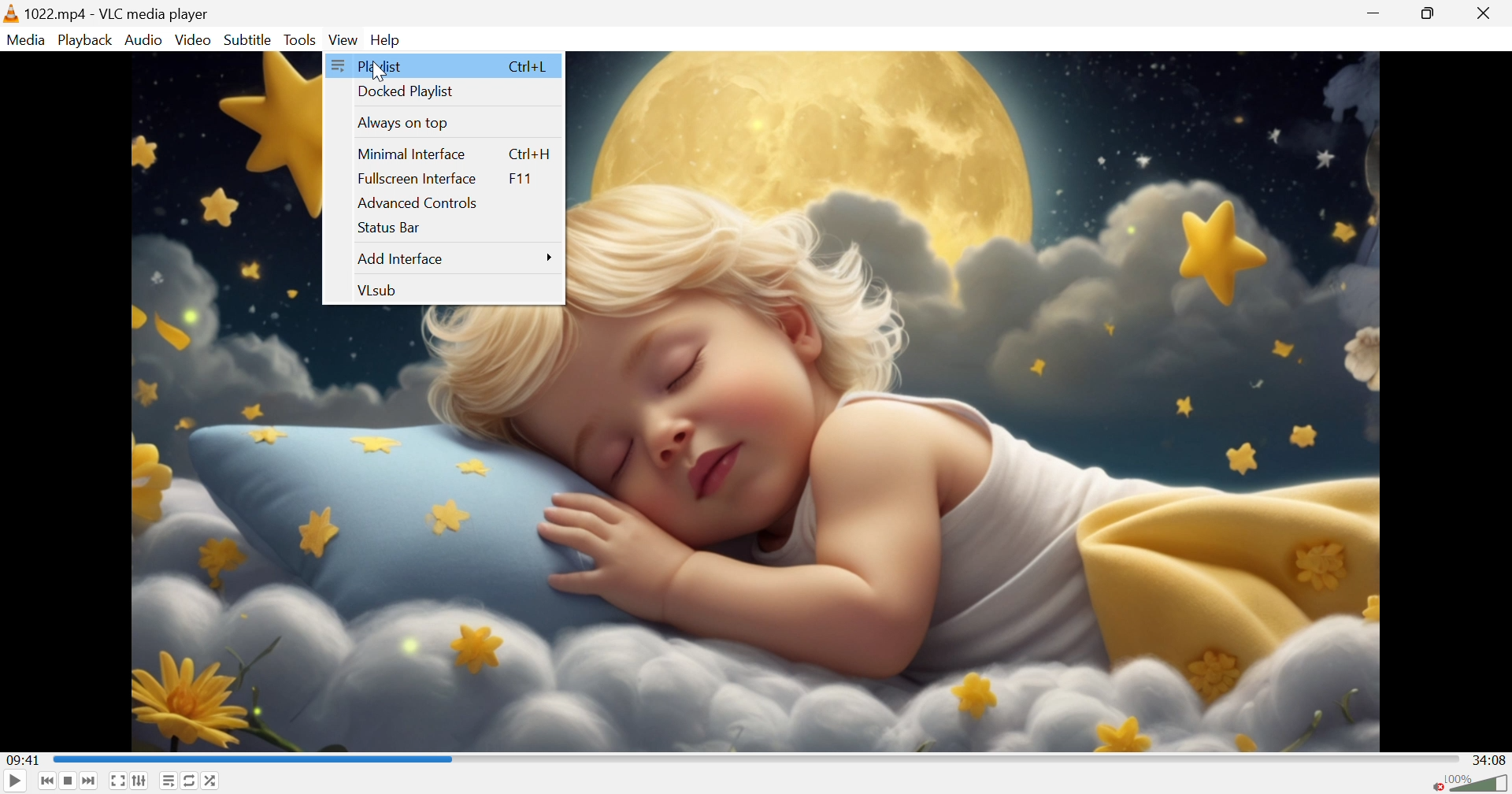 The height and width of the screenshot is (794, 1512). Describe the element at coordinates (445, 68) in the screenshot. I see `Palylist` at that location.